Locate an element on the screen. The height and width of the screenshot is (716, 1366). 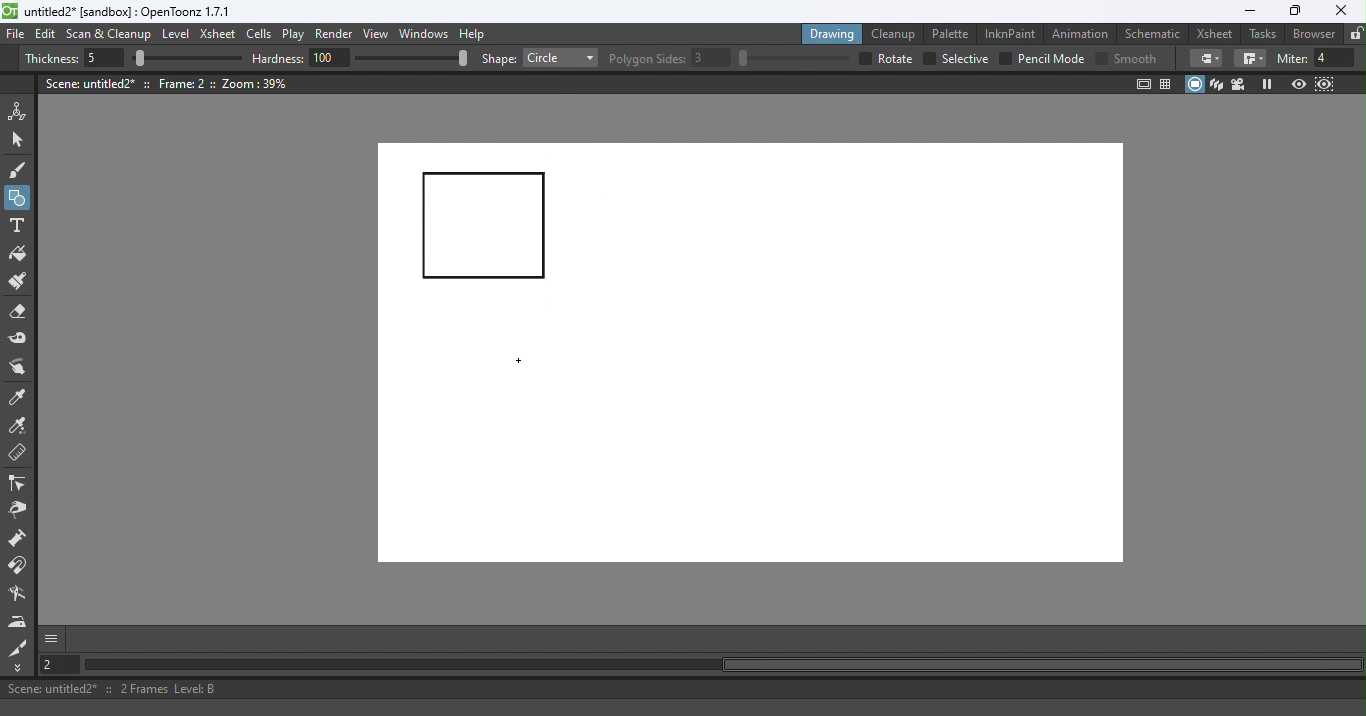
Palette is located at coordinates (953, 33).